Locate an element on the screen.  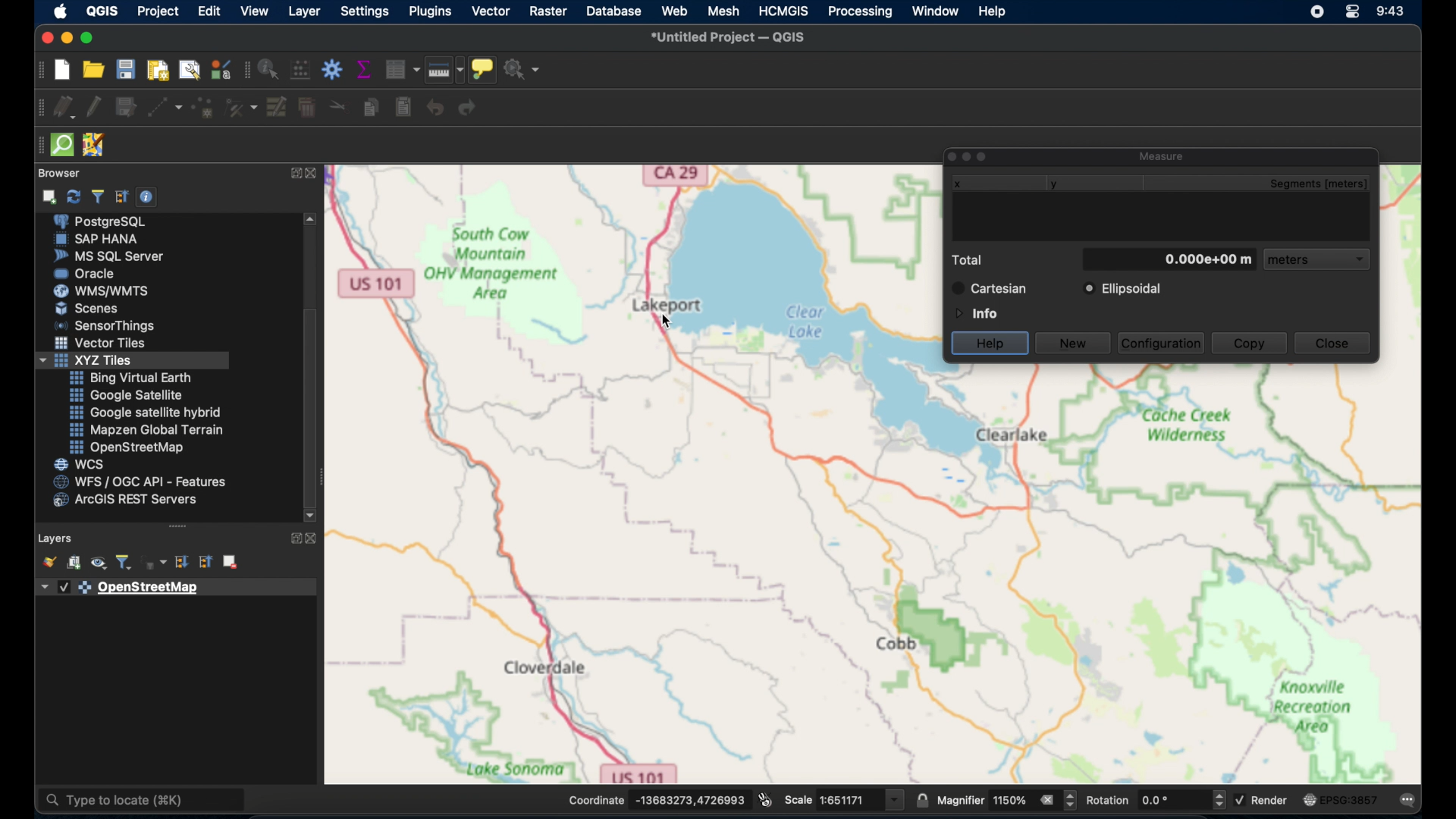
coordinate is located at coordinates (657, 799).